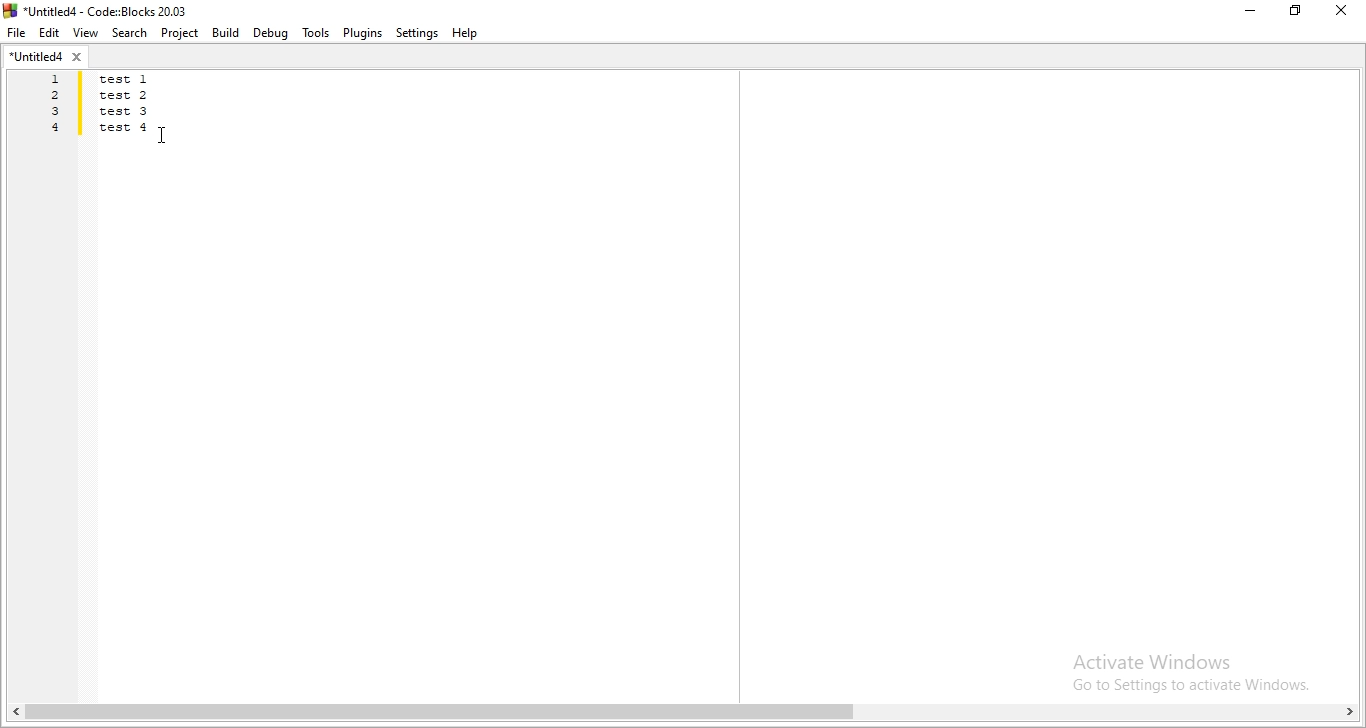 This screenshot has width=1366, height=728. Describe the element at coordinates (50, 33) in the screenshot. I see `Edit ` at that location.